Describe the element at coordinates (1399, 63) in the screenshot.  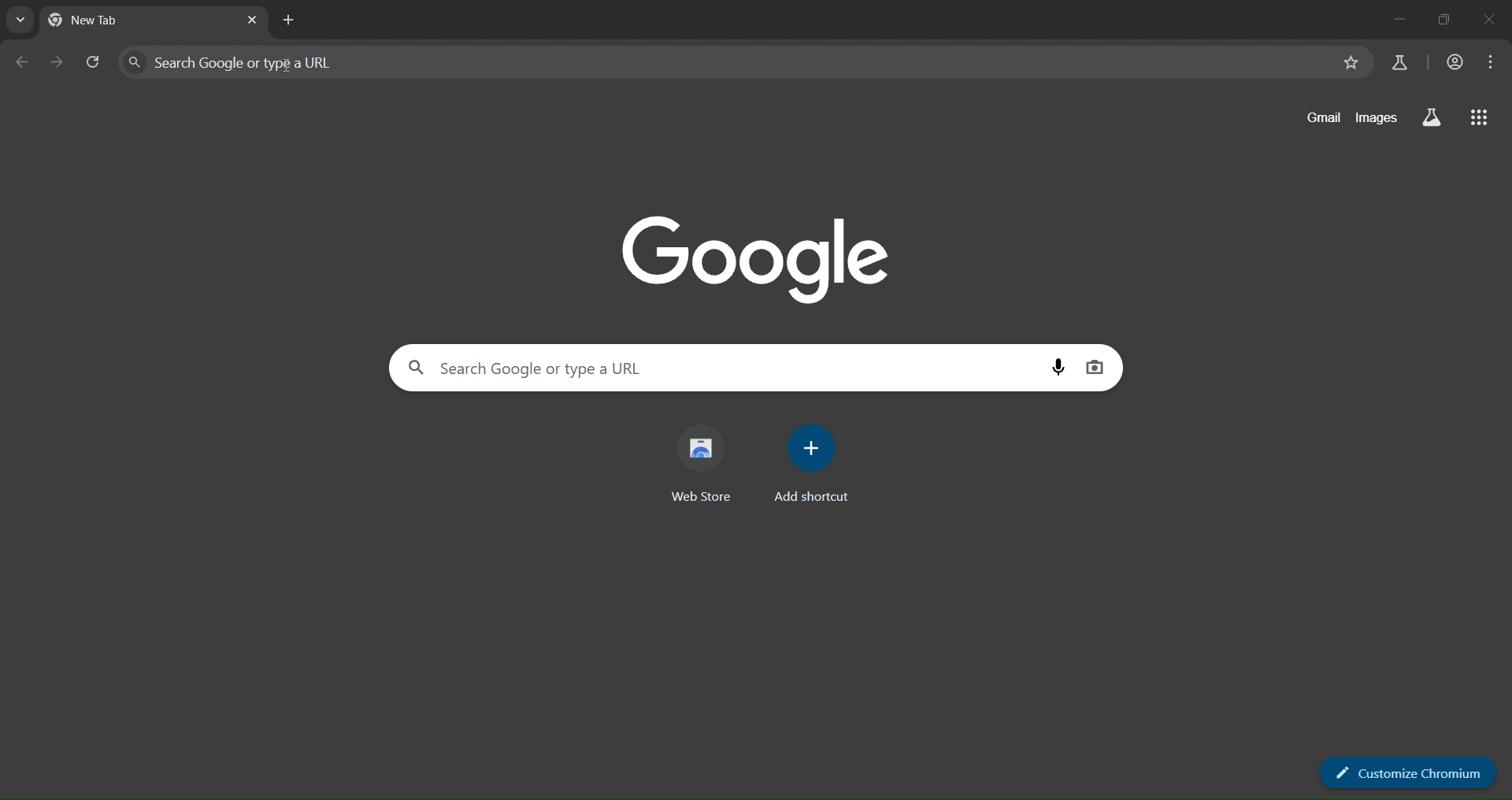
I see `search labs` at that location.